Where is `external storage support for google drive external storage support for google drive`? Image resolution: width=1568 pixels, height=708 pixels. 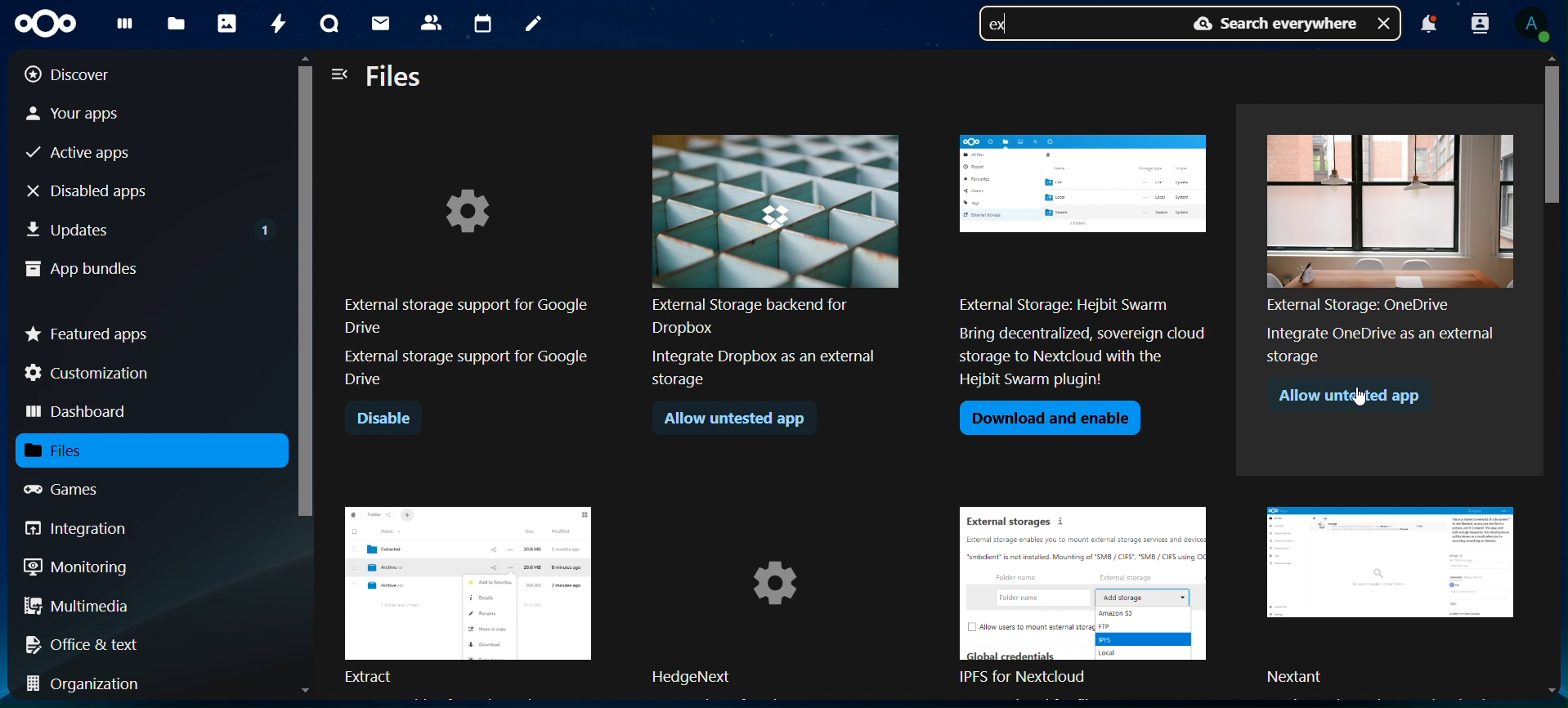 external storage support for google drive external storage support for google drive is located at coordinates (464, 285).